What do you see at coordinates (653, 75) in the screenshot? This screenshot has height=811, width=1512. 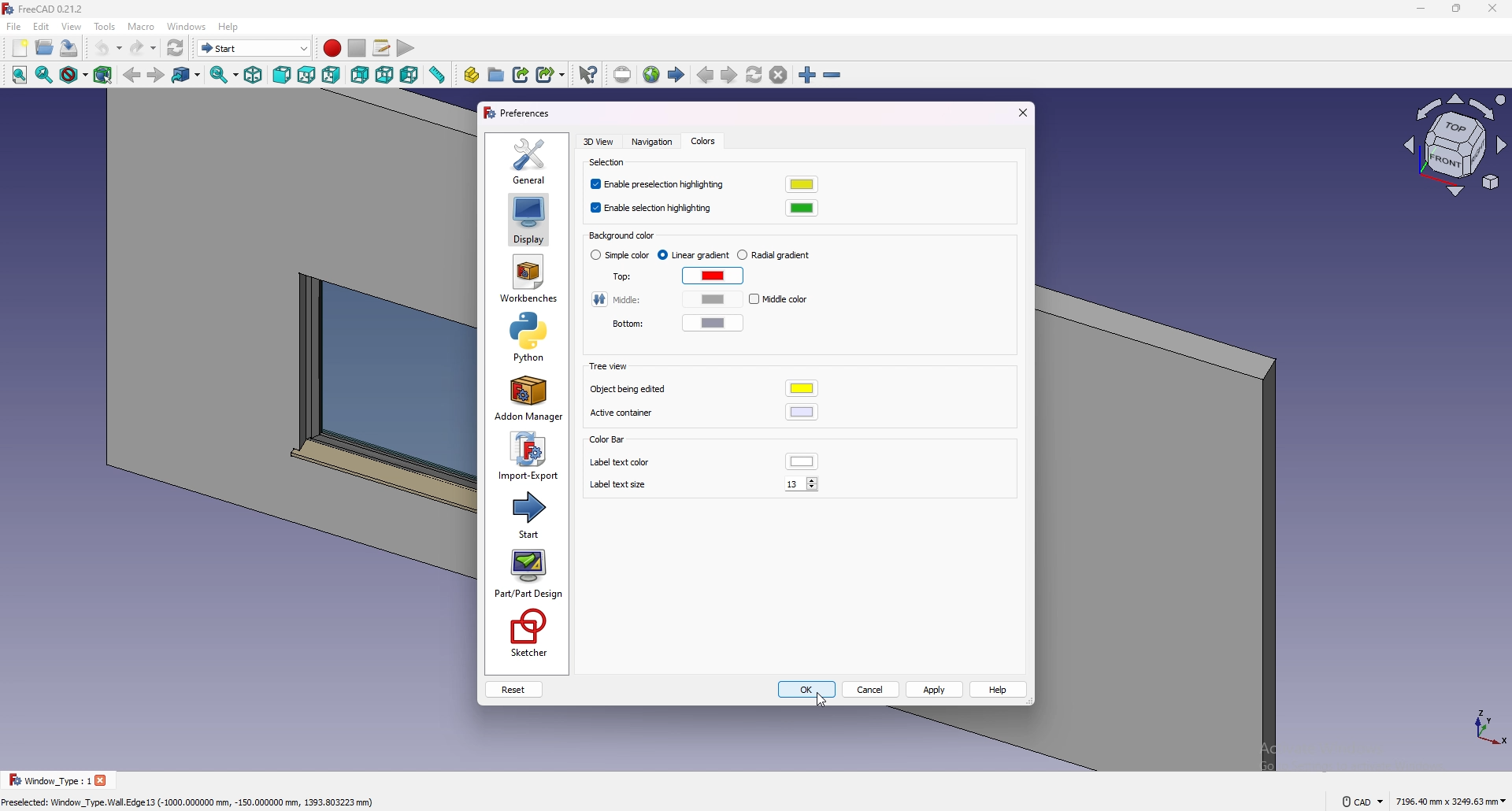 I see `open website` at bounding box center [653, 75].